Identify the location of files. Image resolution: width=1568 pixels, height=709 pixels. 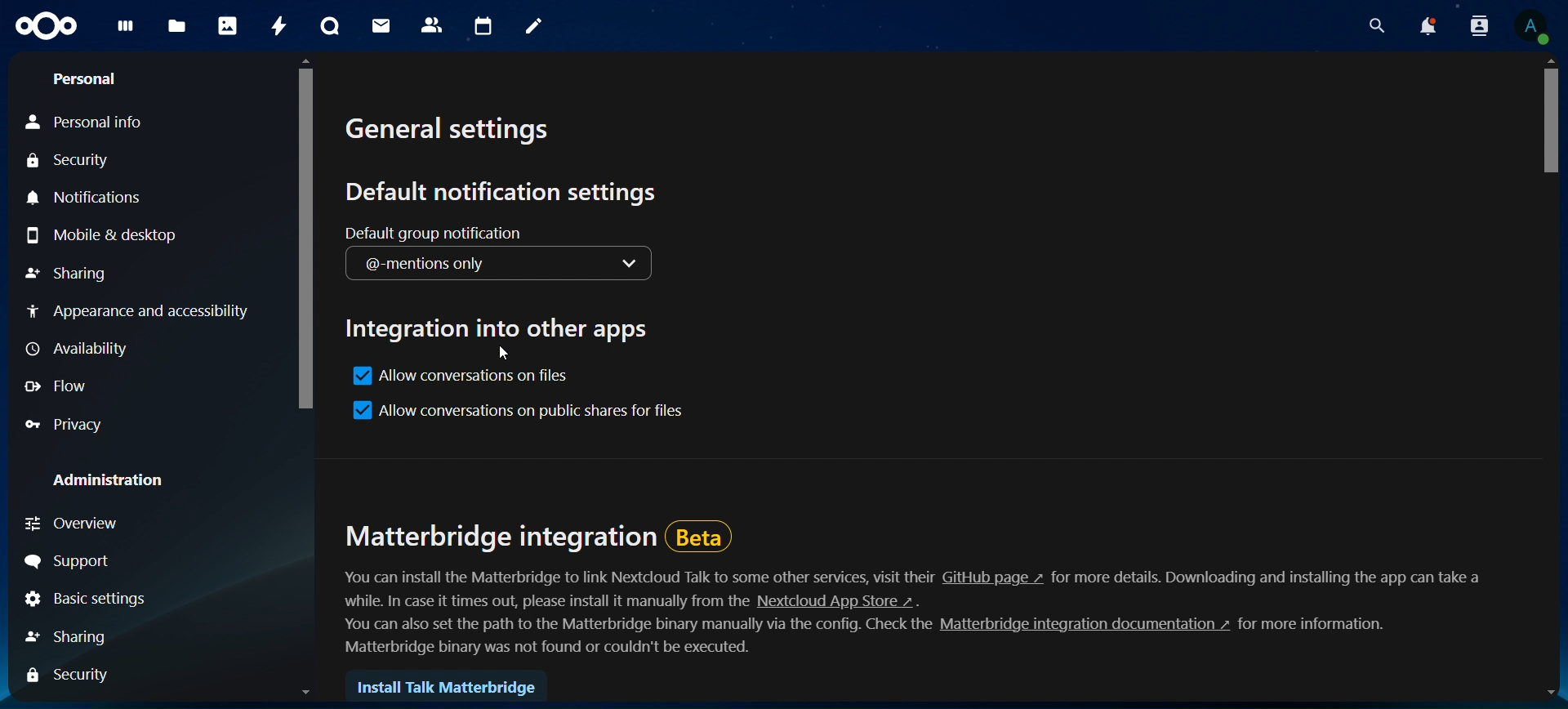
(129, 32).